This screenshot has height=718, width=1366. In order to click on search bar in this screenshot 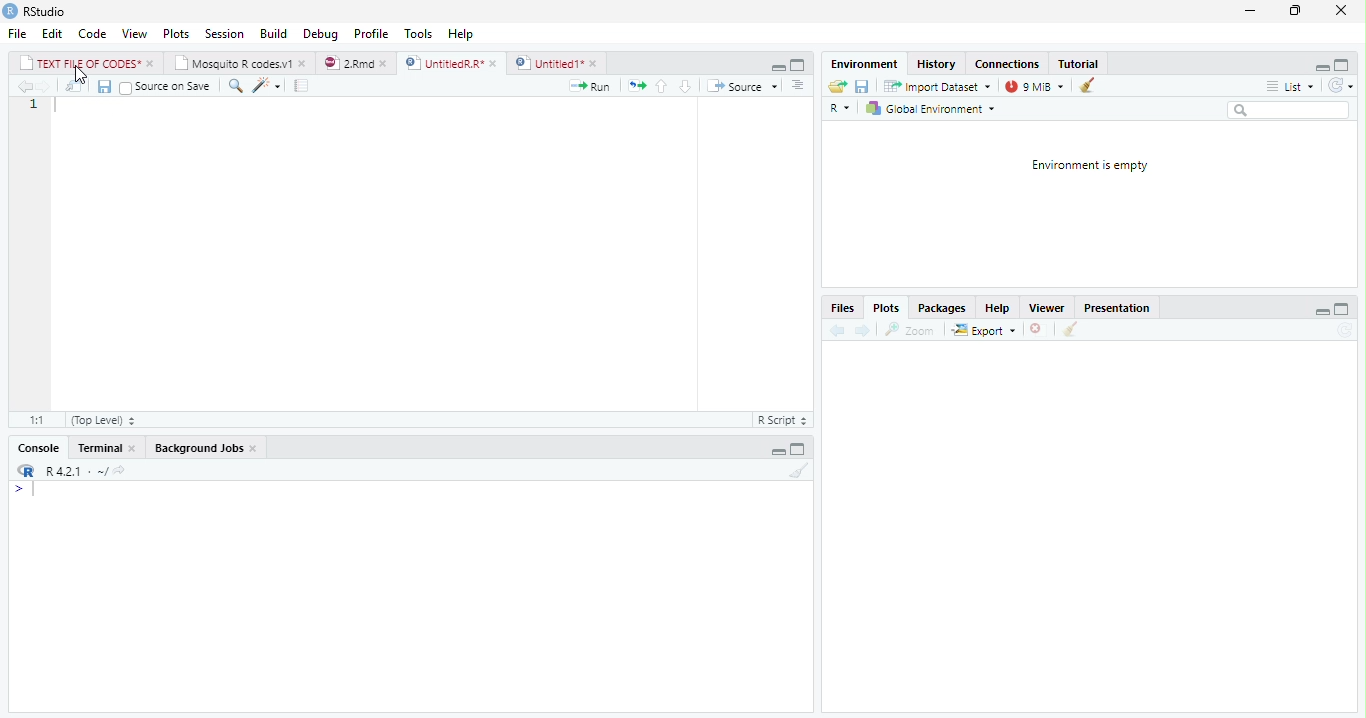, I will do `click(1295, 110)`.